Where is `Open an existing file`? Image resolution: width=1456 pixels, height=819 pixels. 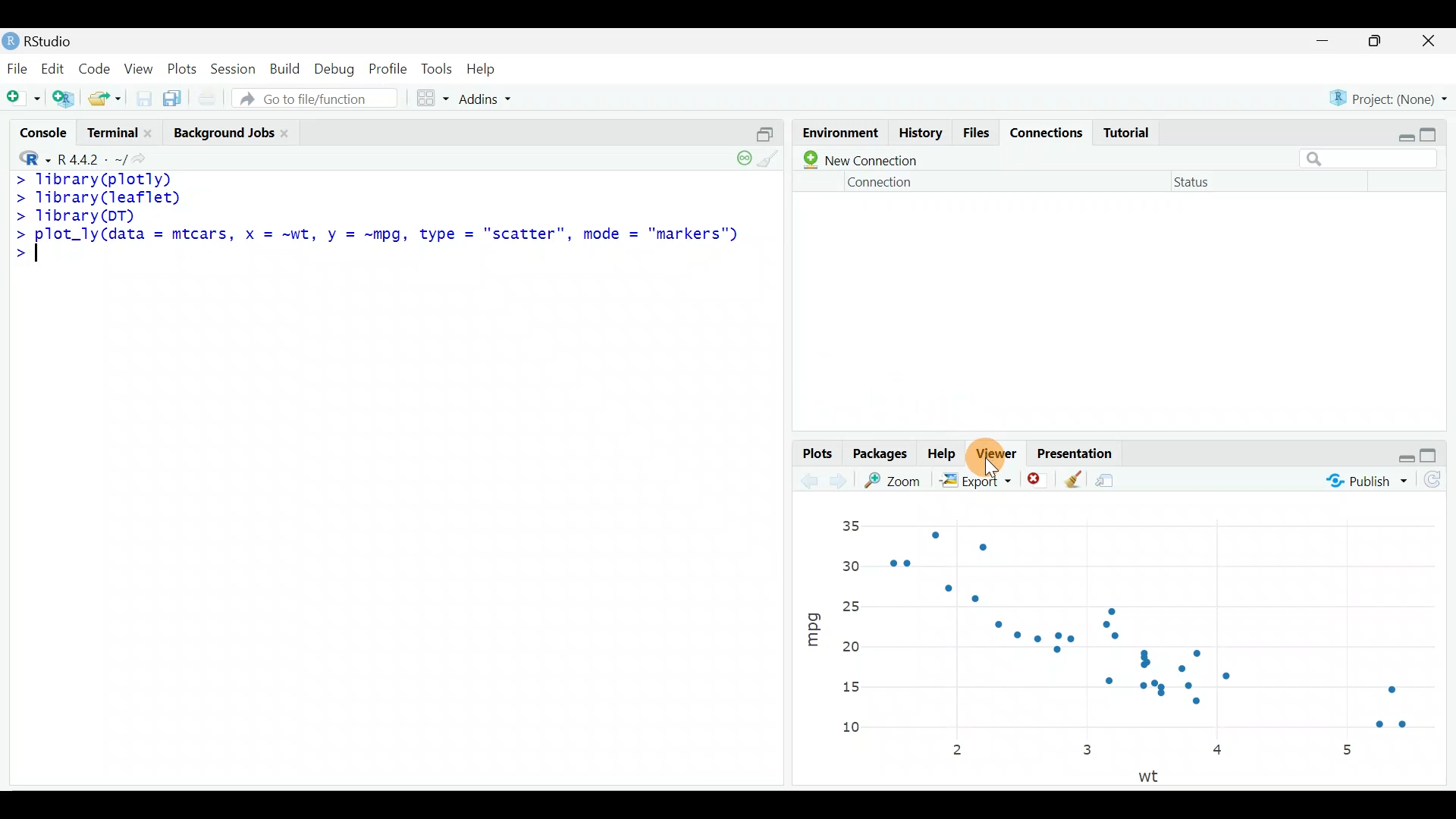 Open an existing file is located at coordinates (106, 100).